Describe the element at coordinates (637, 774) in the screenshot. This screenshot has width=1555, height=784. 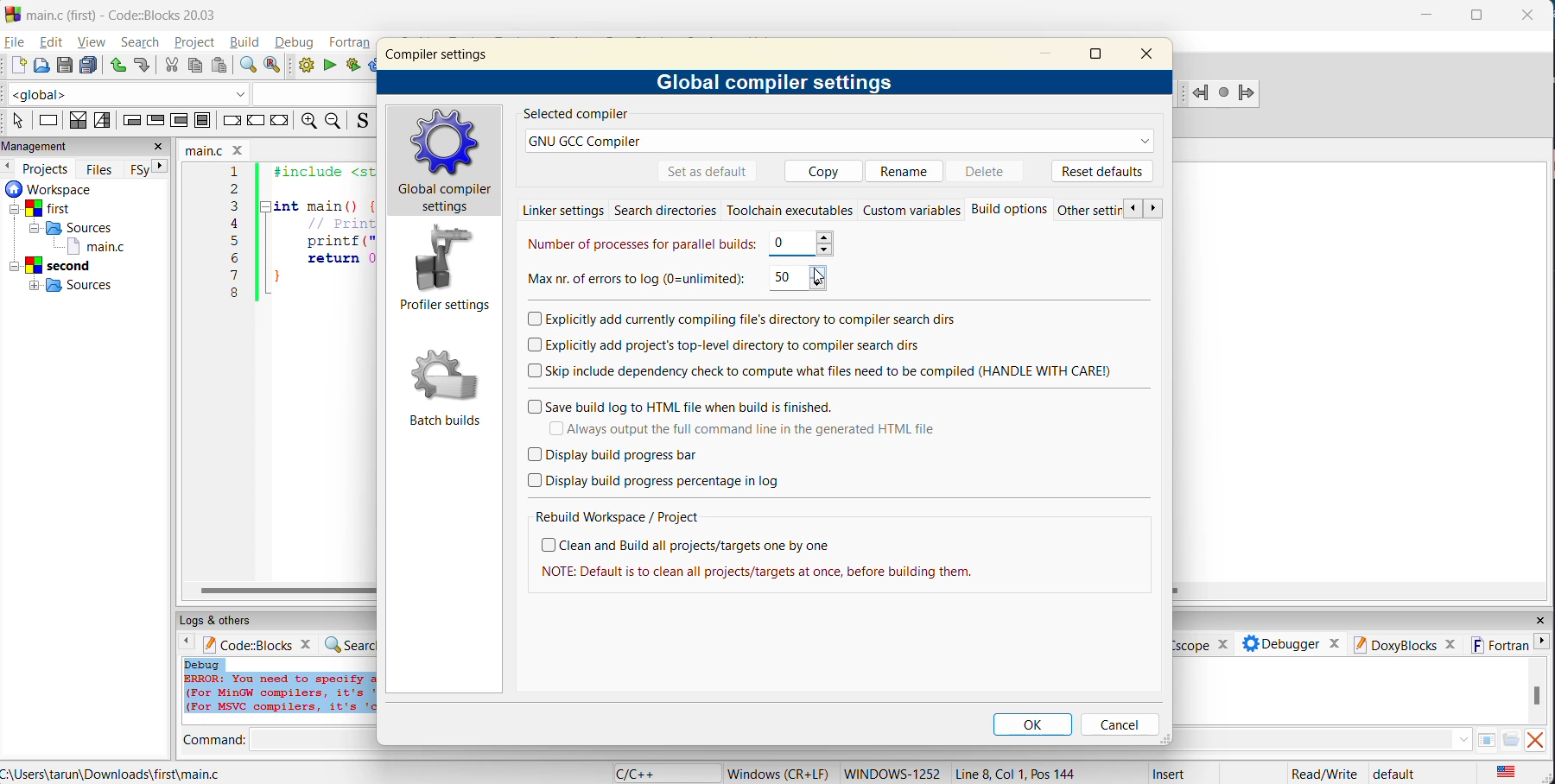
I see `language` at that location.